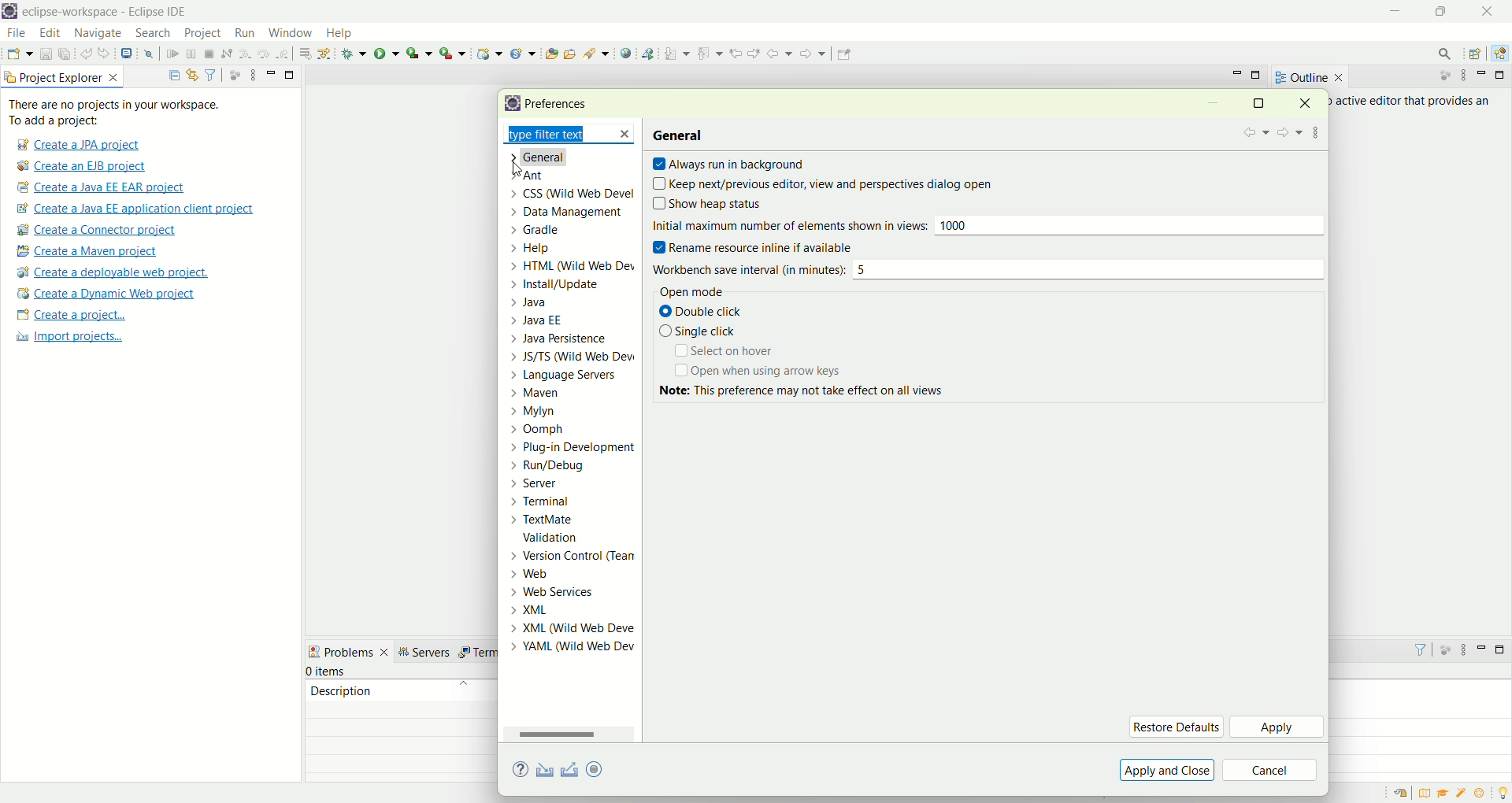 This screenshot has width=1512, height=803. What do you see at coordinates (569, 194) in the screenshot?
I see `CSS` at bounding box center [569, 194].